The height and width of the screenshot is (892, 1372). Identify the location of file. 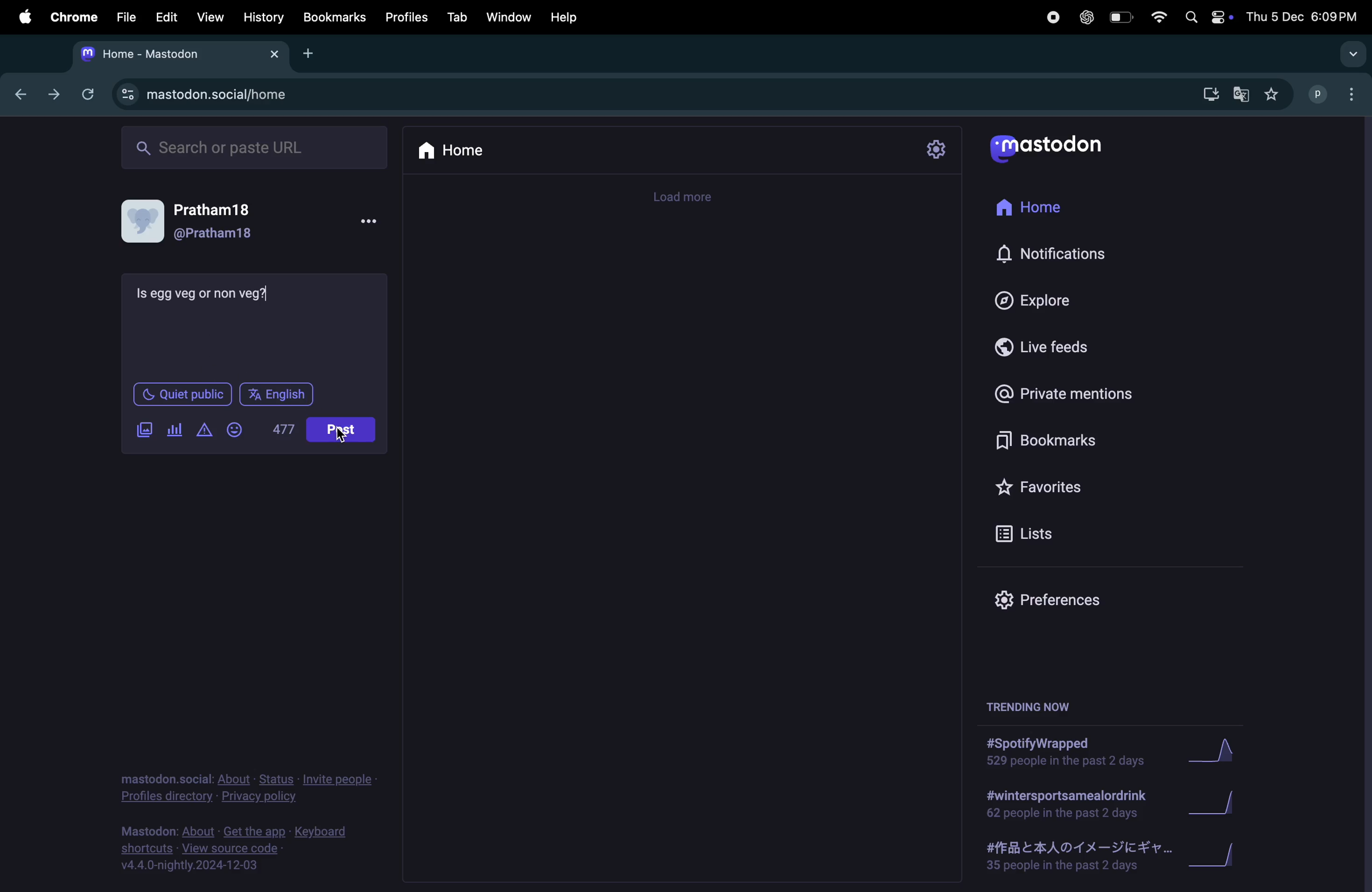
(126, 16).